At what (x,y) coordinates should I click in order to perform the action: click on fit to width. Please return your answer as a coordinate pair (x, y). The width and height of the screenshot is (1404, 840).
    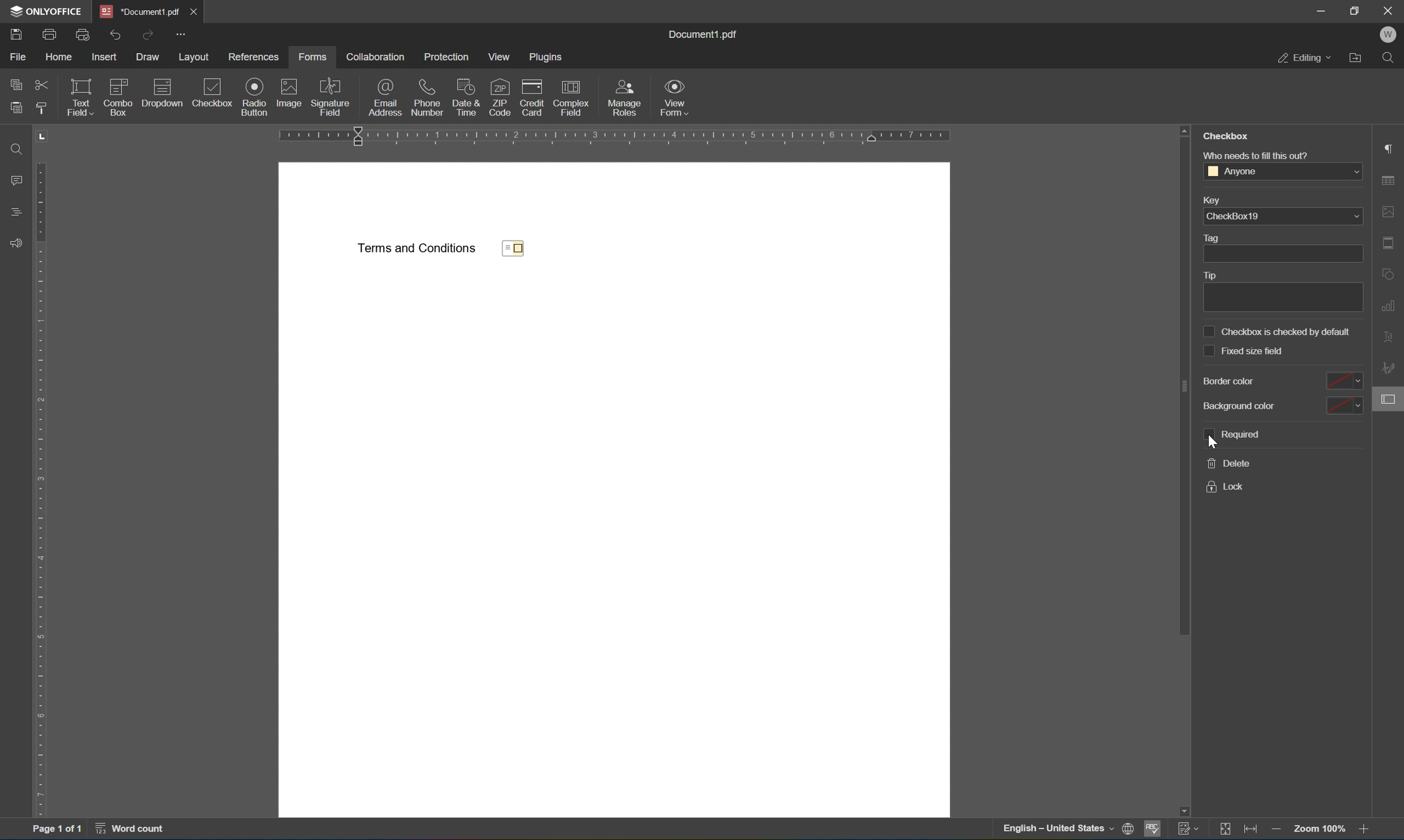
    Looking at the image, I should click on (1249, 830).